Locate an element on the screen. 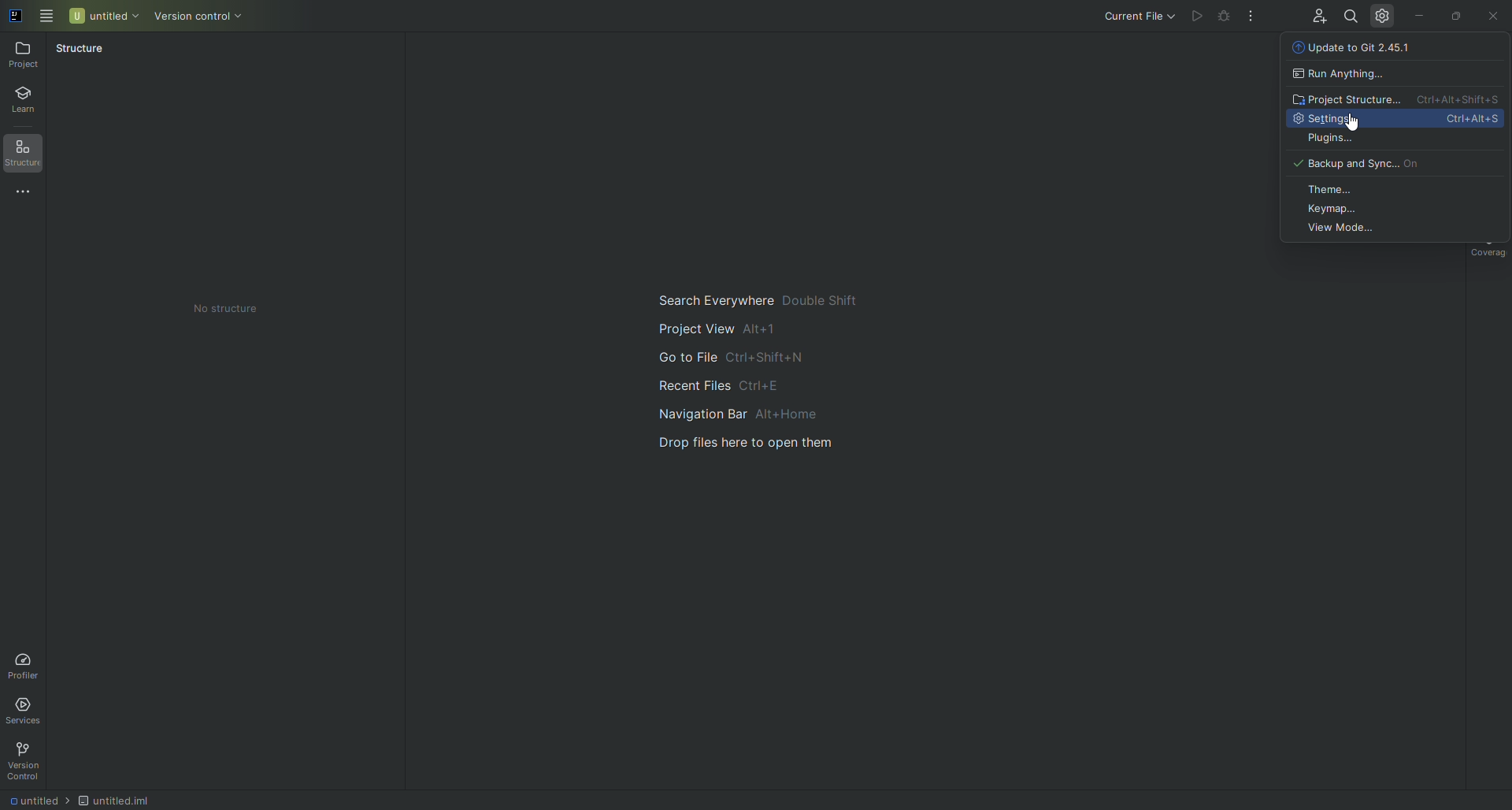 The image size is (1512, 810). More Actions is located at coordinates (1252, 17).